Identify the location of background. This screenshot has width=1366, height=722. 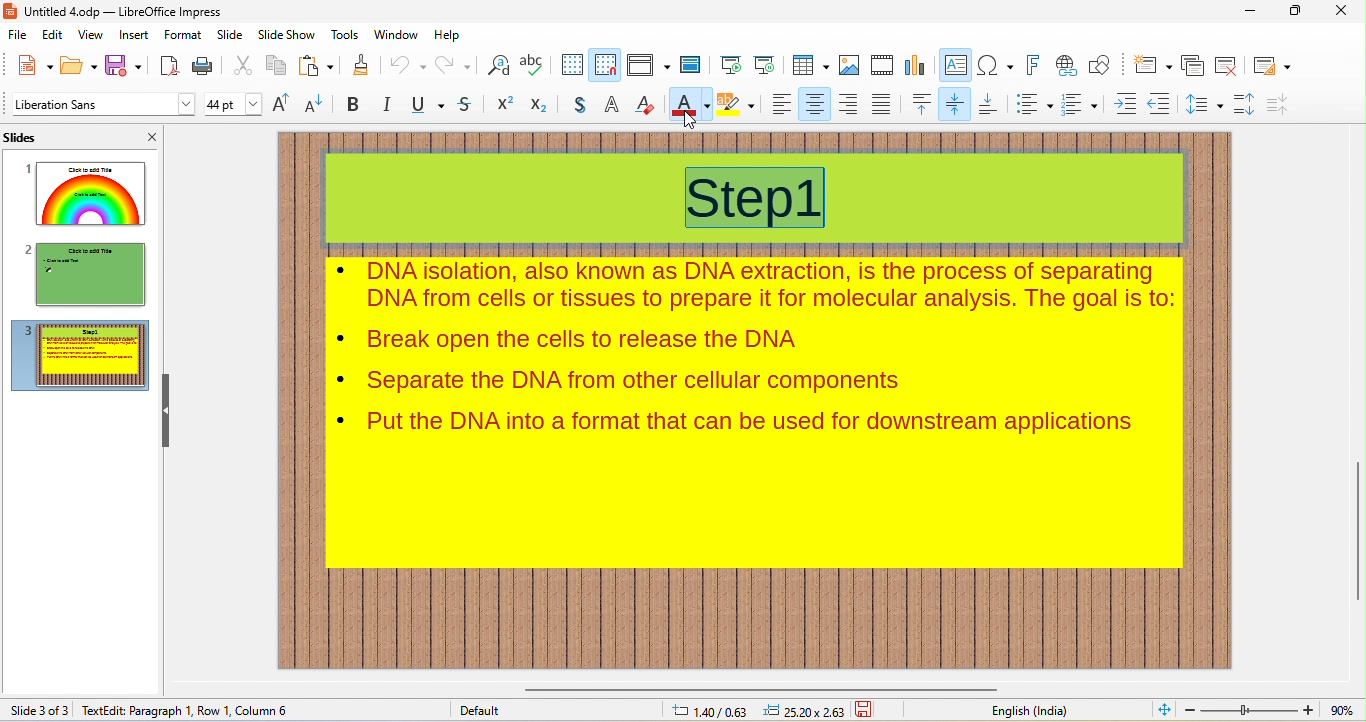
(738, 106).